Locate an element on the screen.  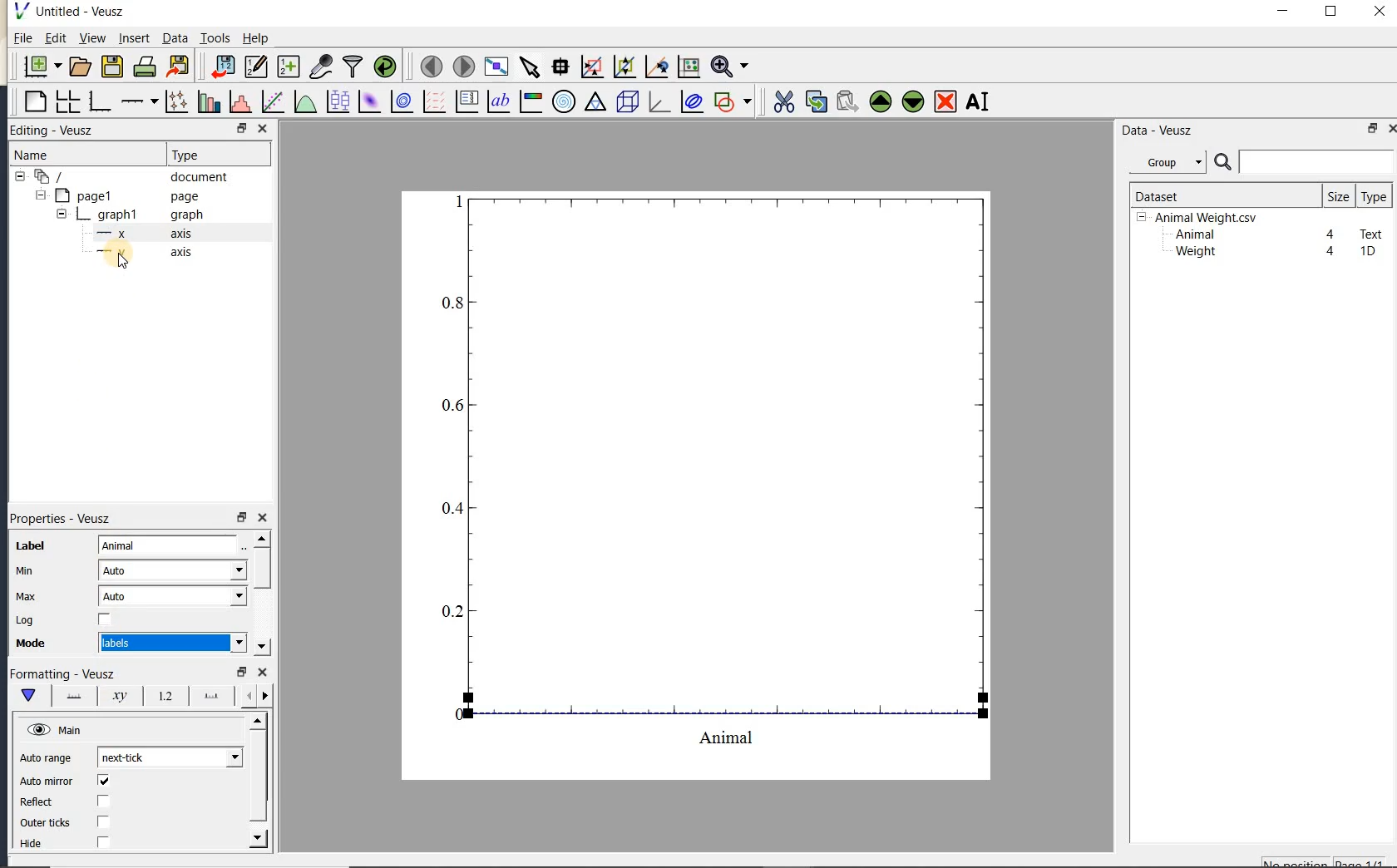
cut the selected widget is located at coordinates (782, 102).